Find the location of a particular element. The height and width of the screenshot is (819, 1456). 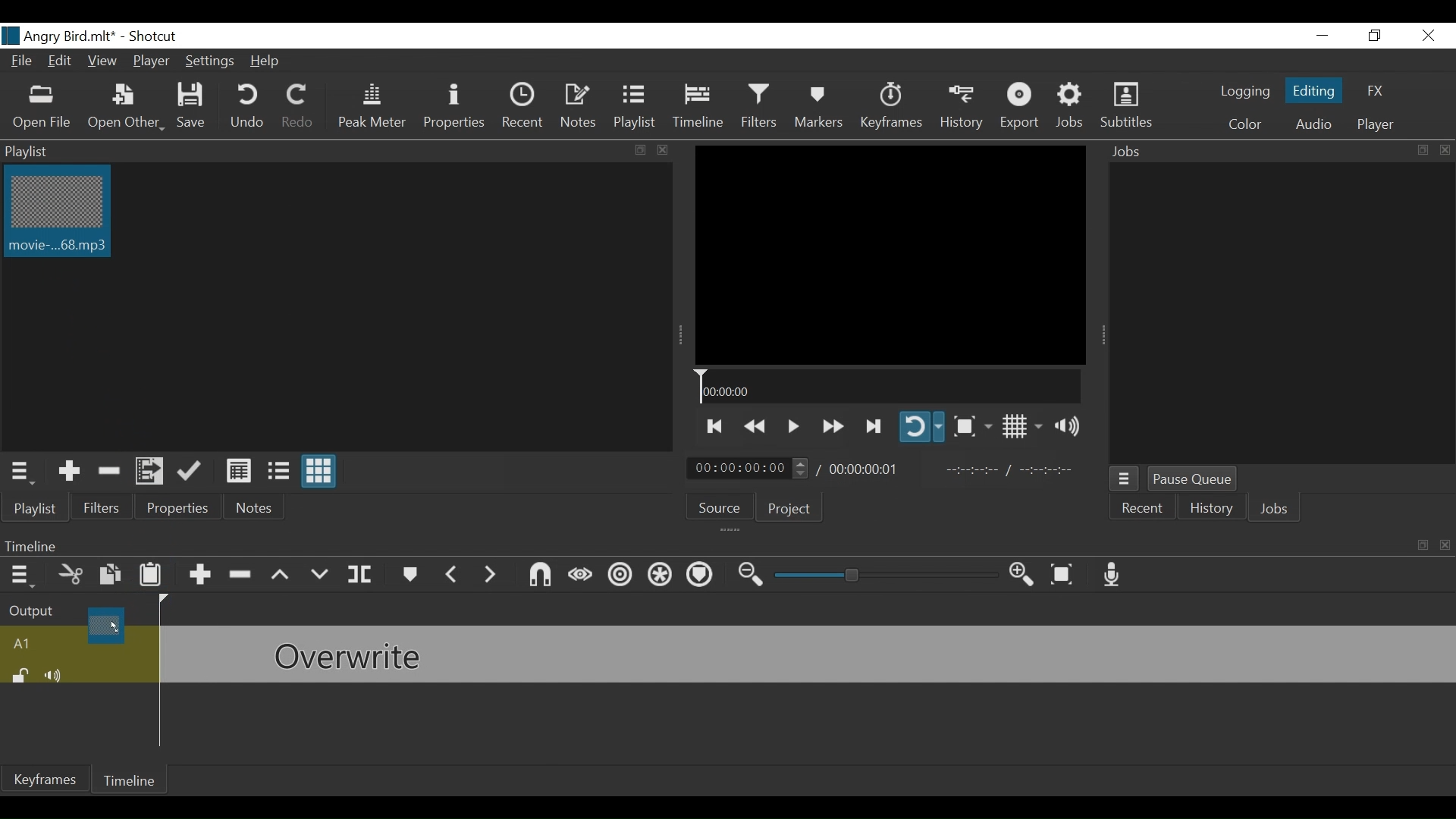

View as files is located at coordinates (277, 472).